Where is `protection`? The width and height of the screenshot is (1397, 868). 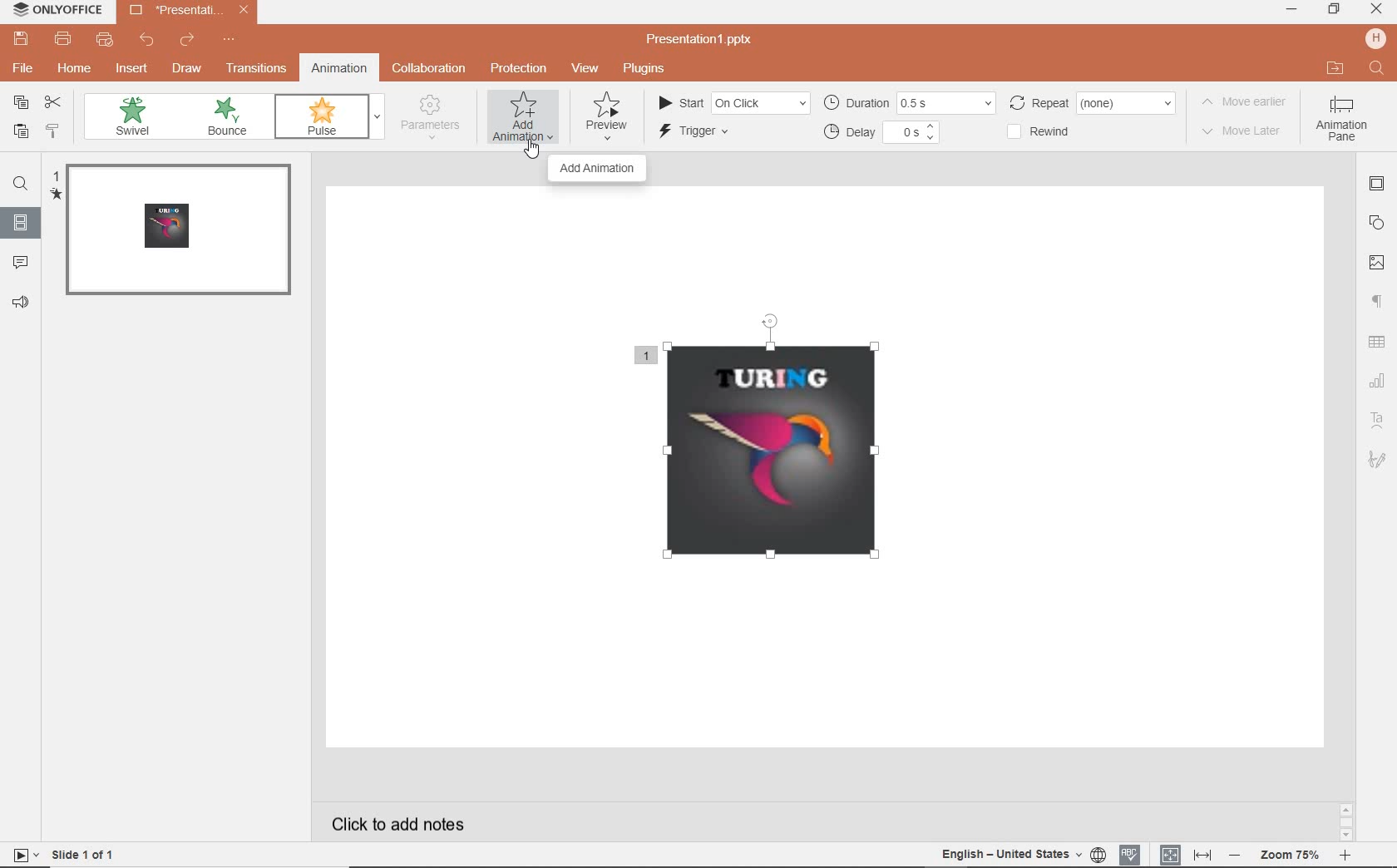
protection is located at coordinates (518, 70).